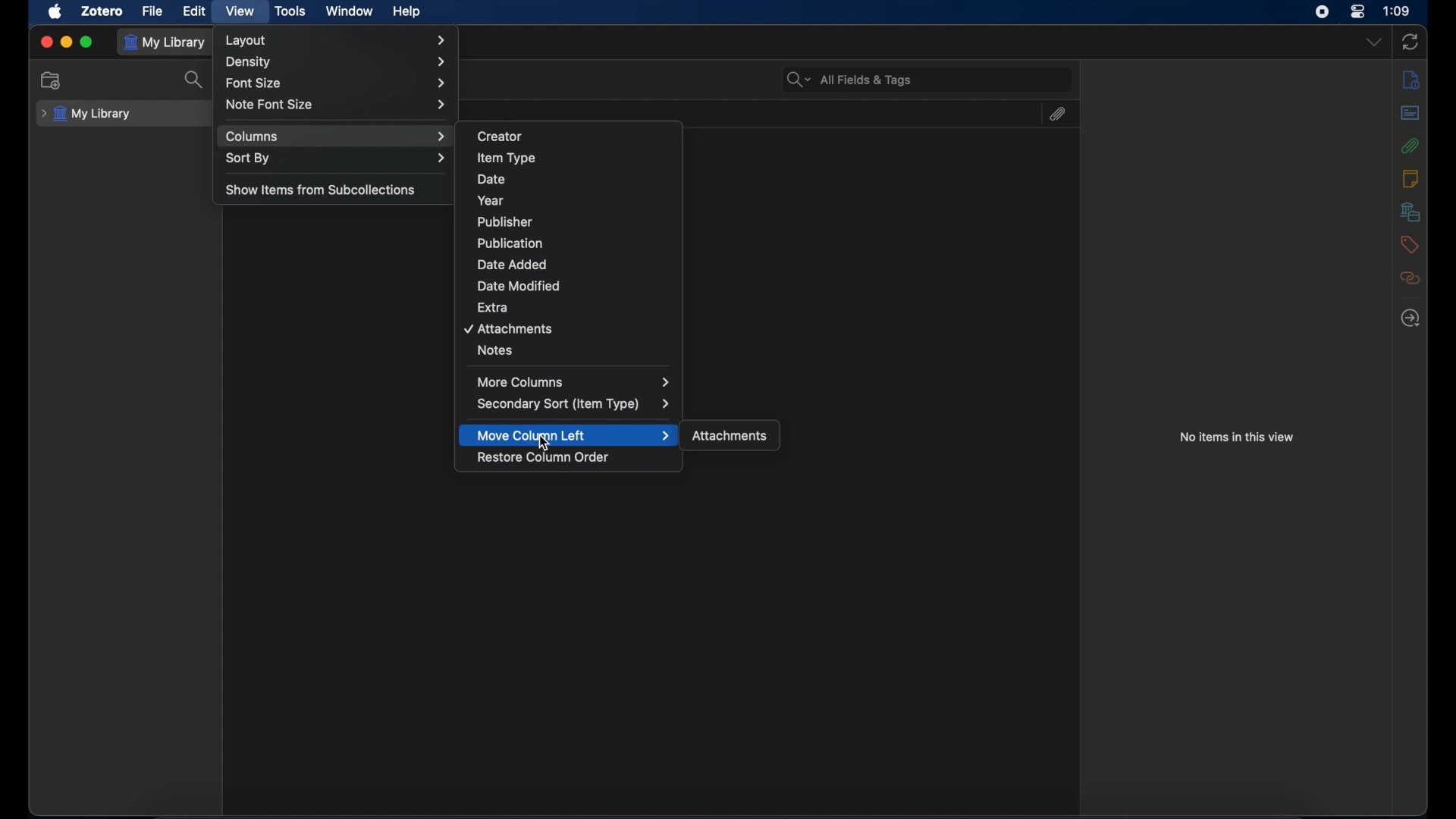  What do you see at coordinates (340, 61) in the screenshot?
I see `density` at bounding box center [340, 61].